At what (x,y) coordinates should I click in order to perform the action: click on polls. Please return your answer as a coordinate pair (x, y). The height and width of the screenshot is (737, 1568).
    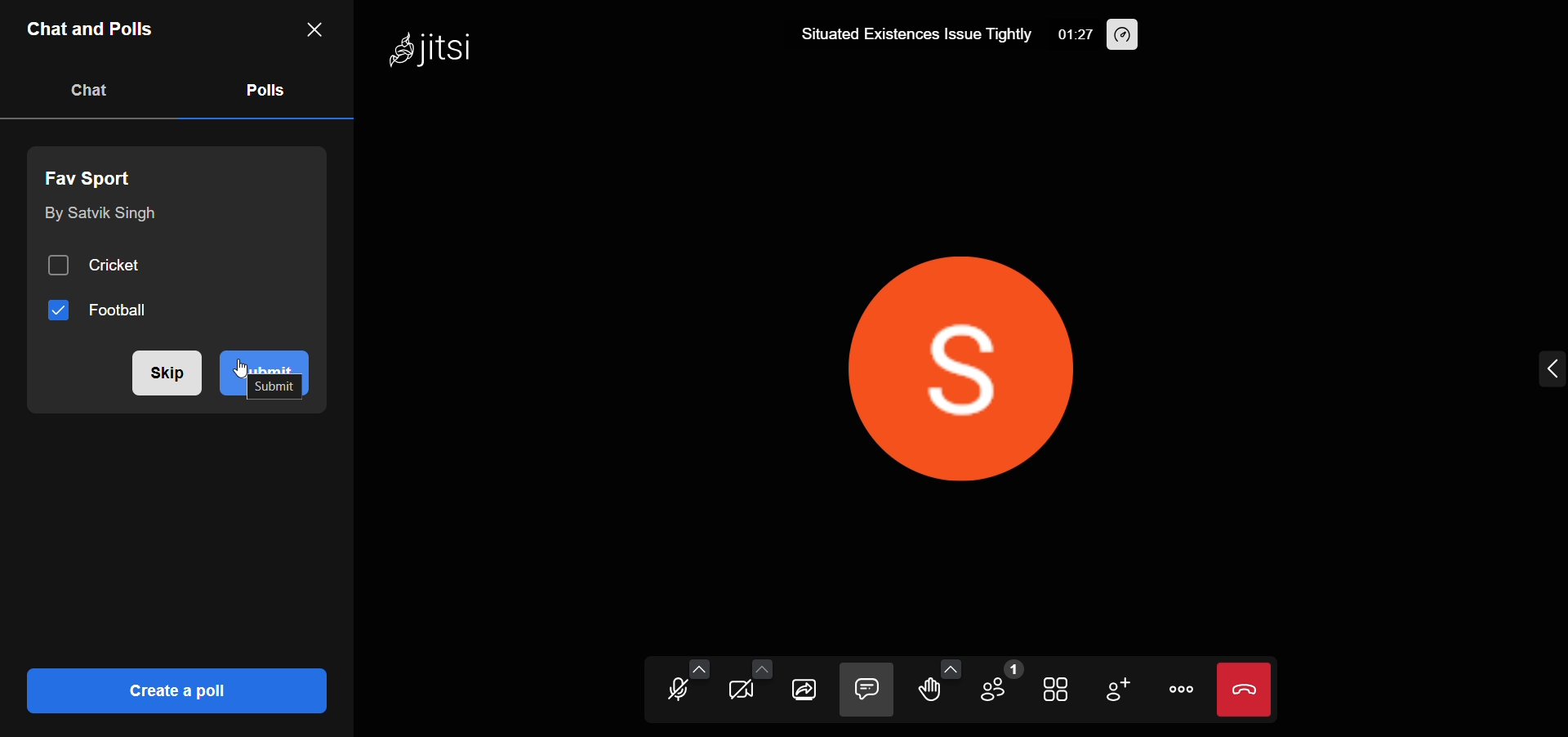
    Looking at the image, I should click on (266, 91).